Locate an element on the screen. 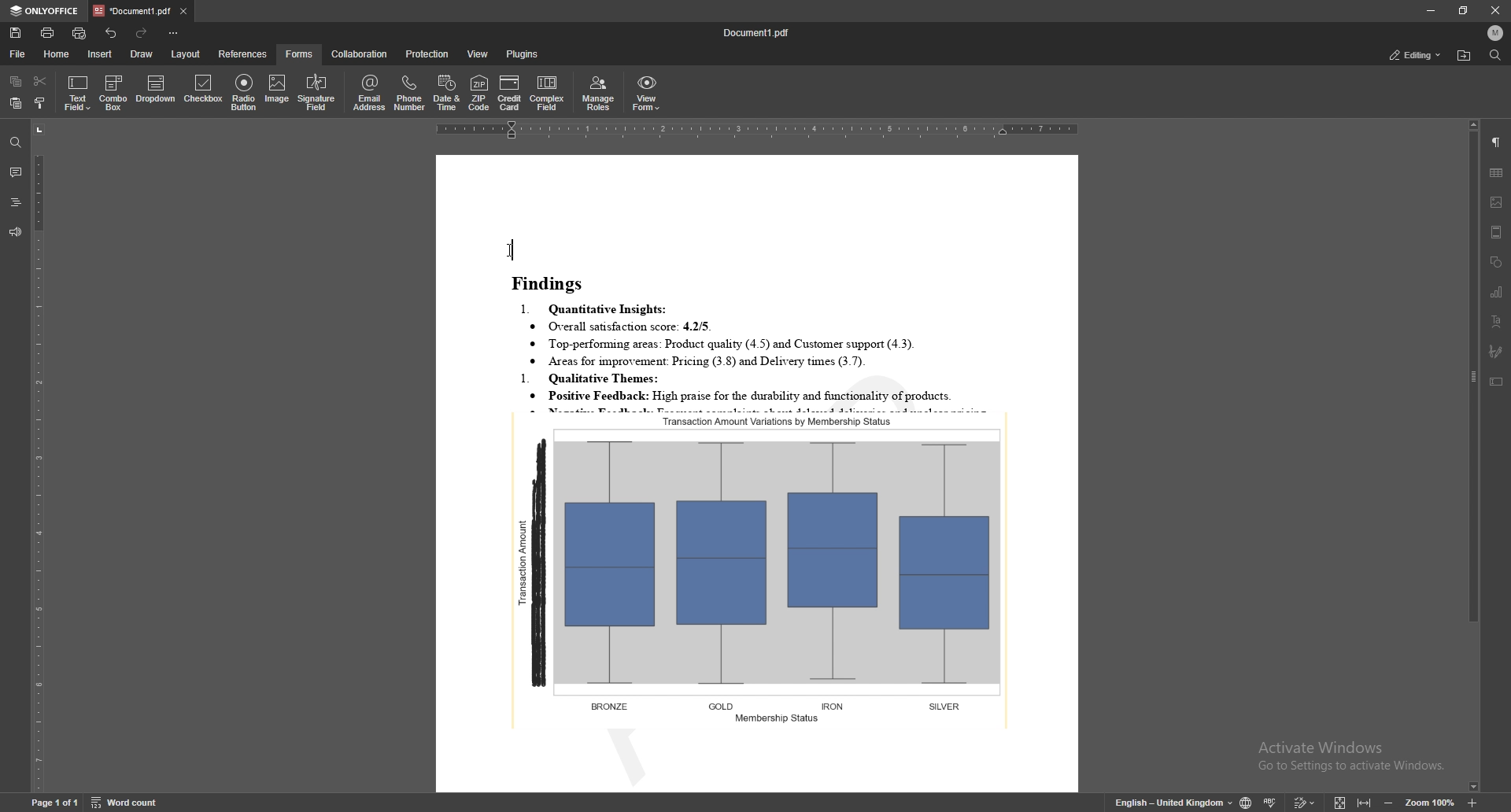 This screenshot has width=1511, height=812. copy style is located at coordinates (42, 102).